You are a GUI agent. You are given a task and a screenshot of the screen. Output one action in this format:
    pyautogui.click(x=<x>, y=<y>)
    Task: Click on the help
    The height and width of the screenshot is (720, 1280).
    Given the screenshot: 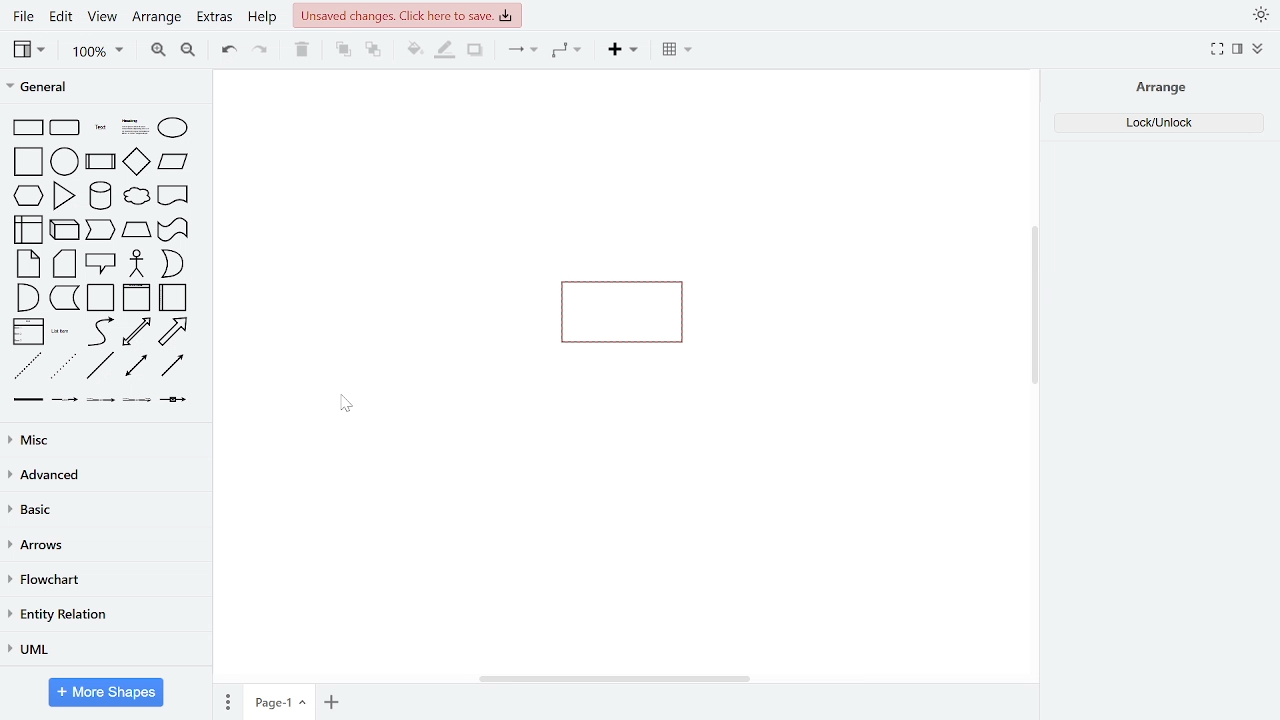 What is the action you would take?
    pyautogui.click(x=262, y=19)
    